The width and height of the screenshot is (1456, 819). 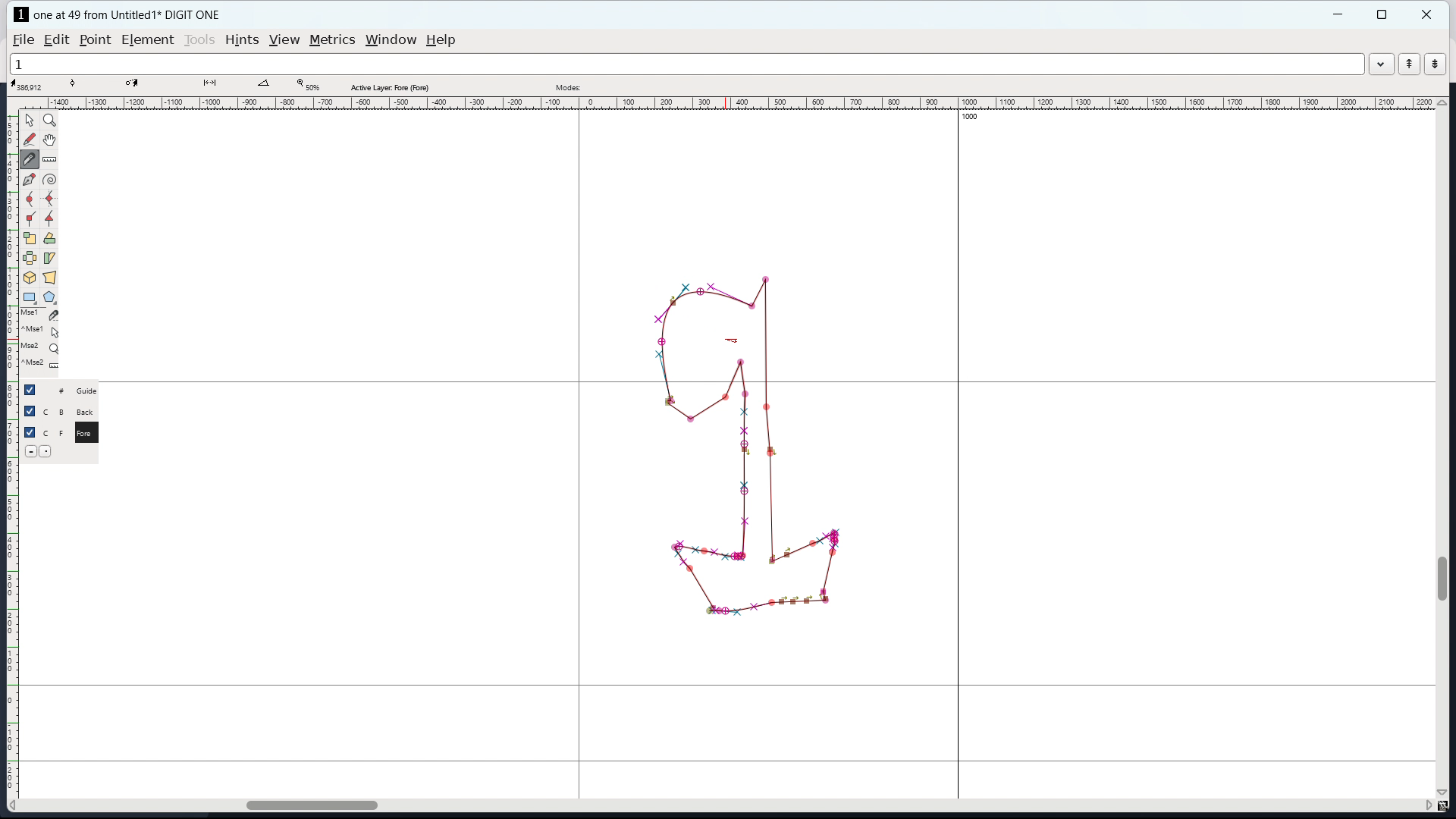 I want to click on previous word in the current word list, so click(x=1409, y=64).